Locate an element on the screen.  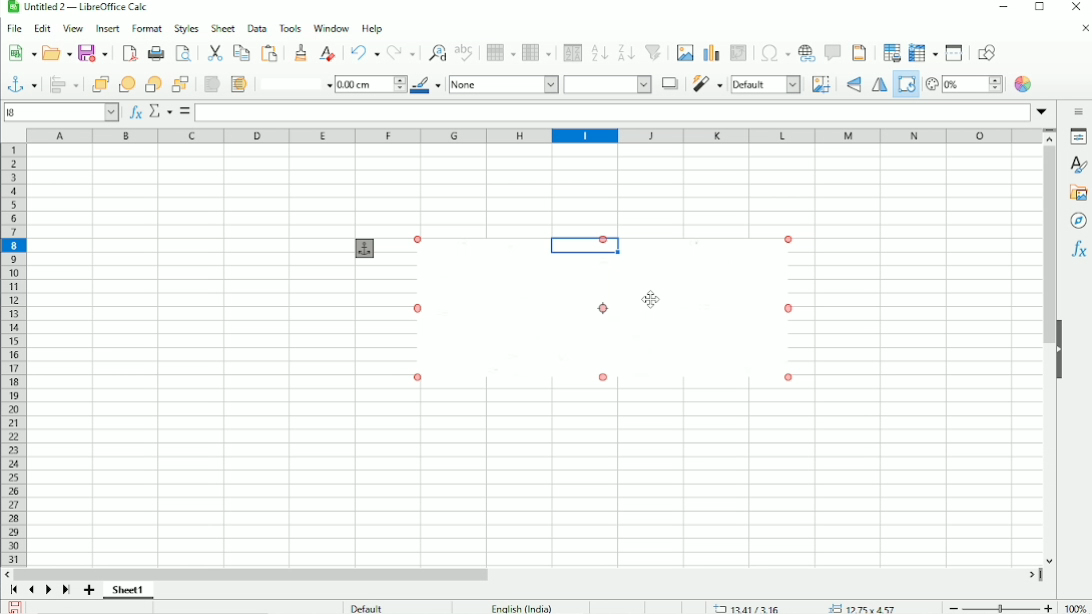
Navigator is located at coordinates (1079, 222).